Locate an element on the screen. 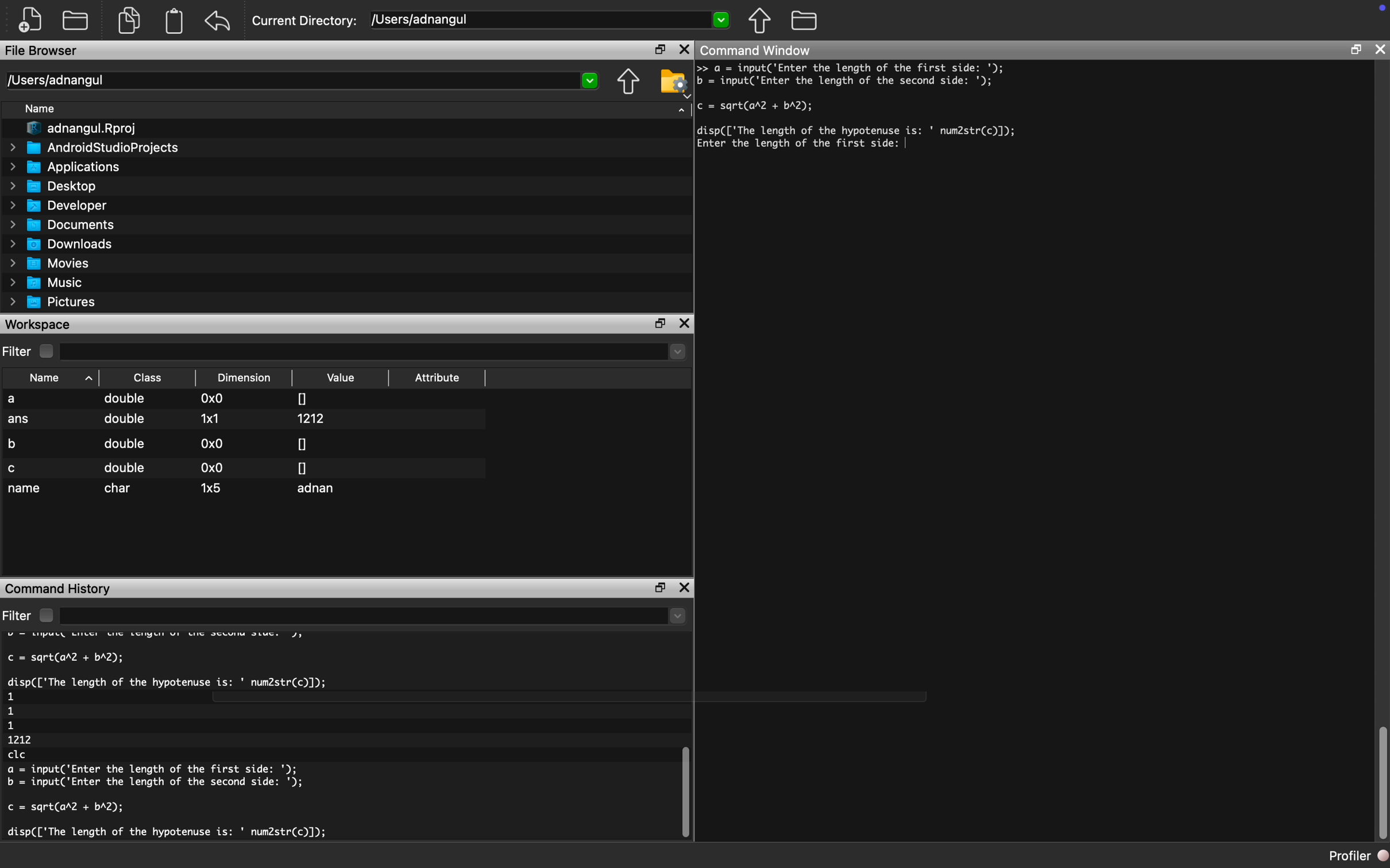  Command History is located at coordinates (60, 587).